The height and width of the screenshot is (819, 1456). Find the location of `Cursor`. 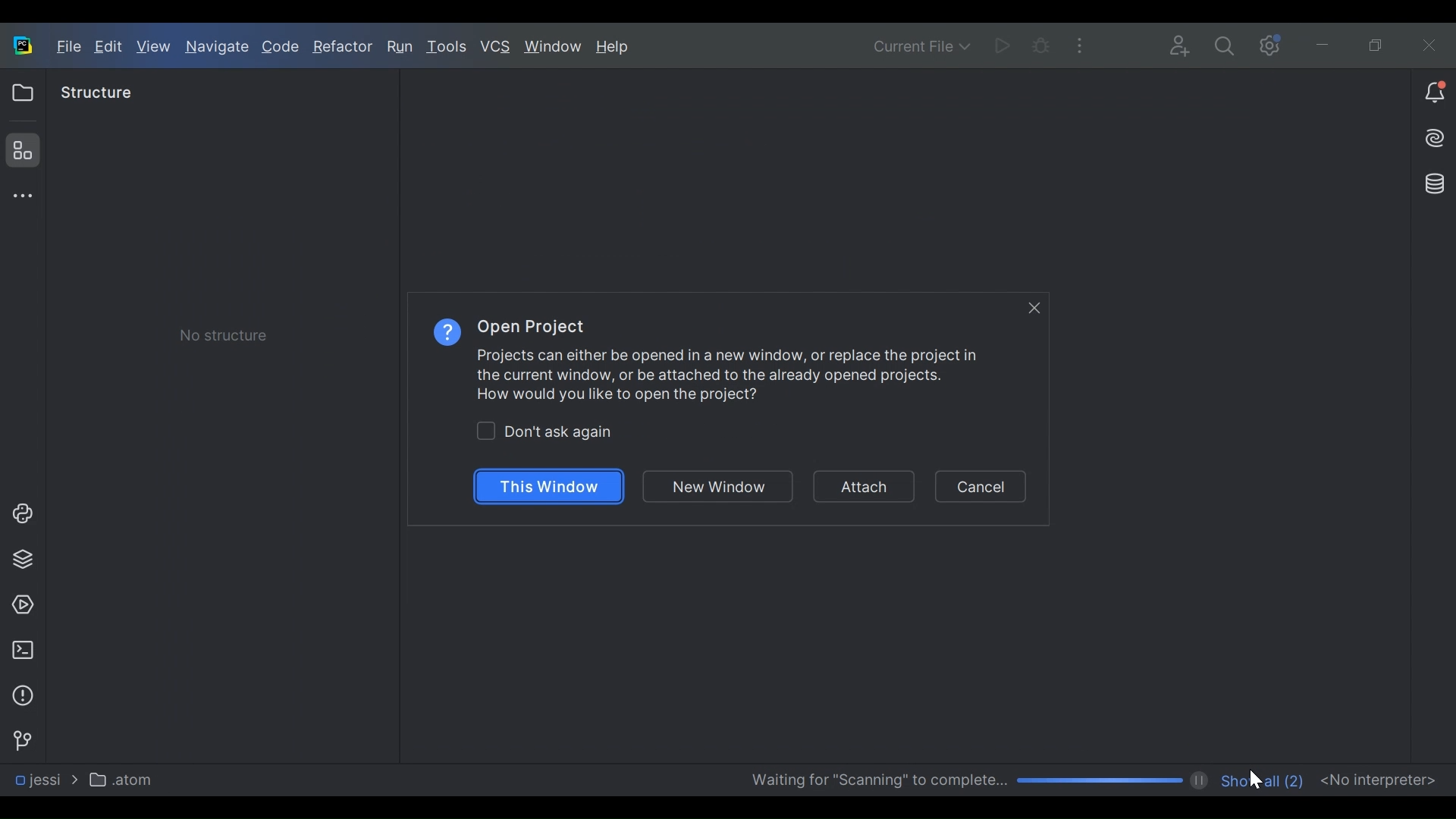

Cursor is located at coordinates (1256, 780).